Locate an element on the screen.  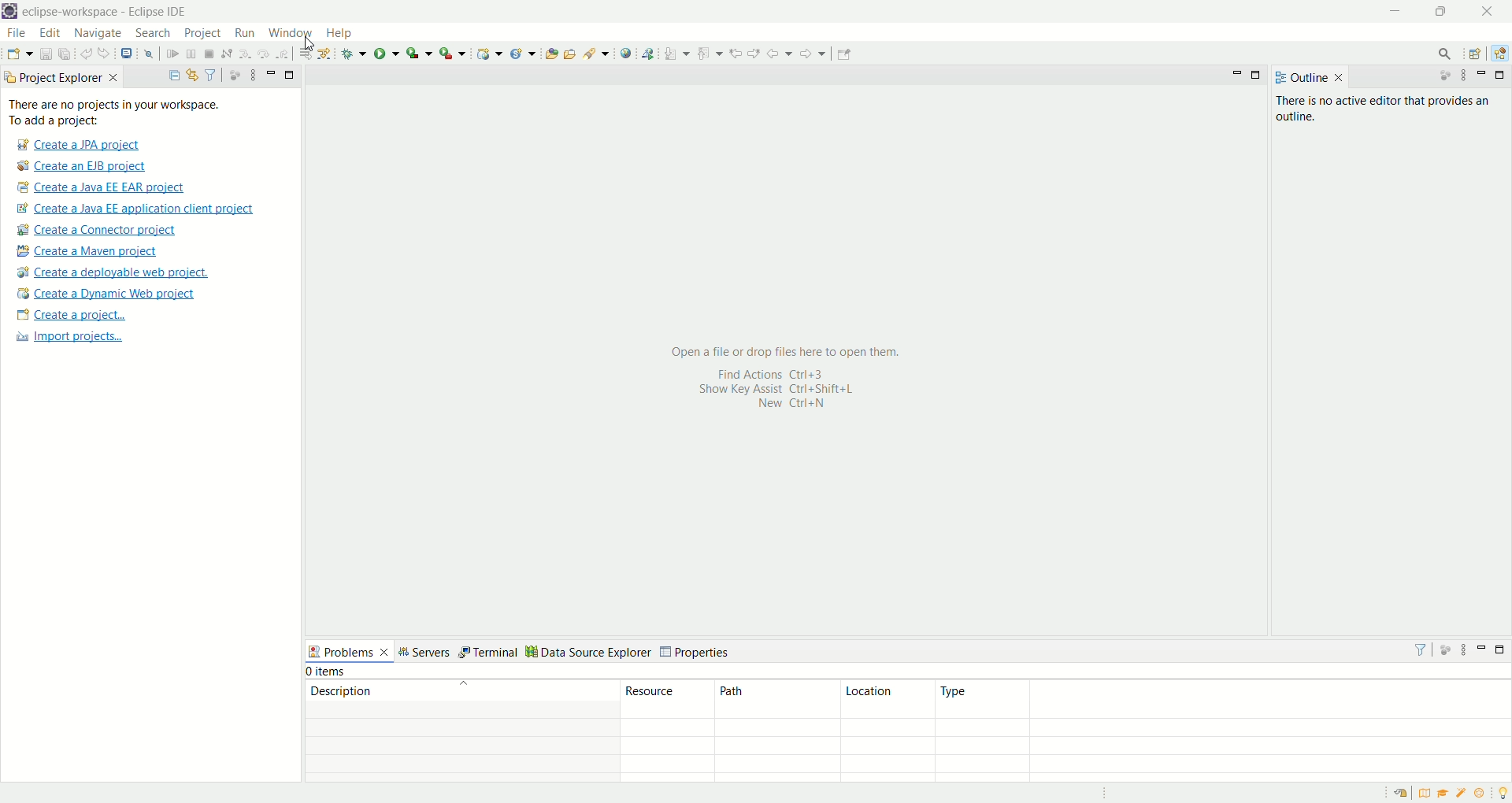
what's new is located at coordinates (1480, 794).